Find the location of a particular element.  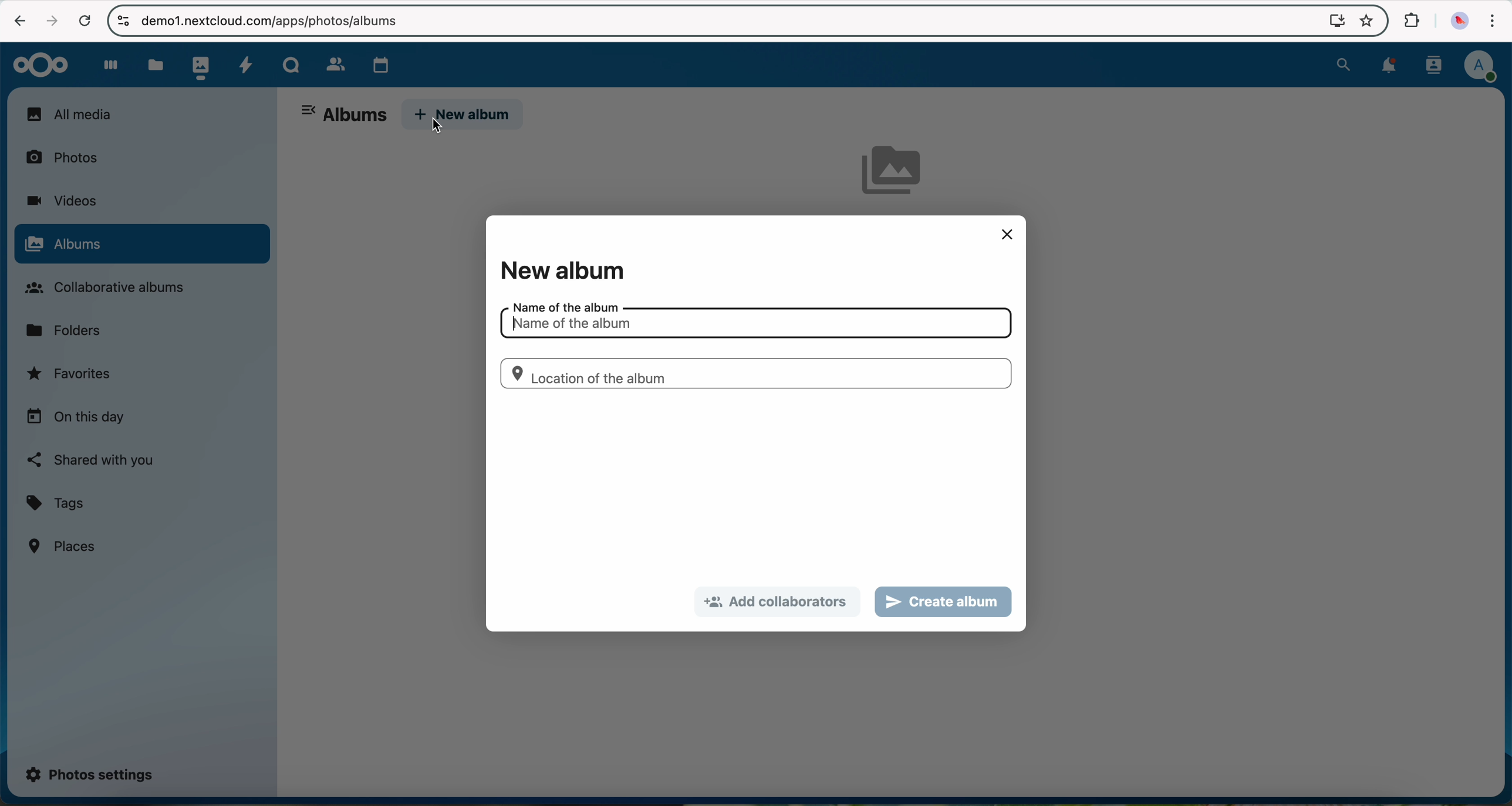

name of the album is located at coordinates (753, 320).